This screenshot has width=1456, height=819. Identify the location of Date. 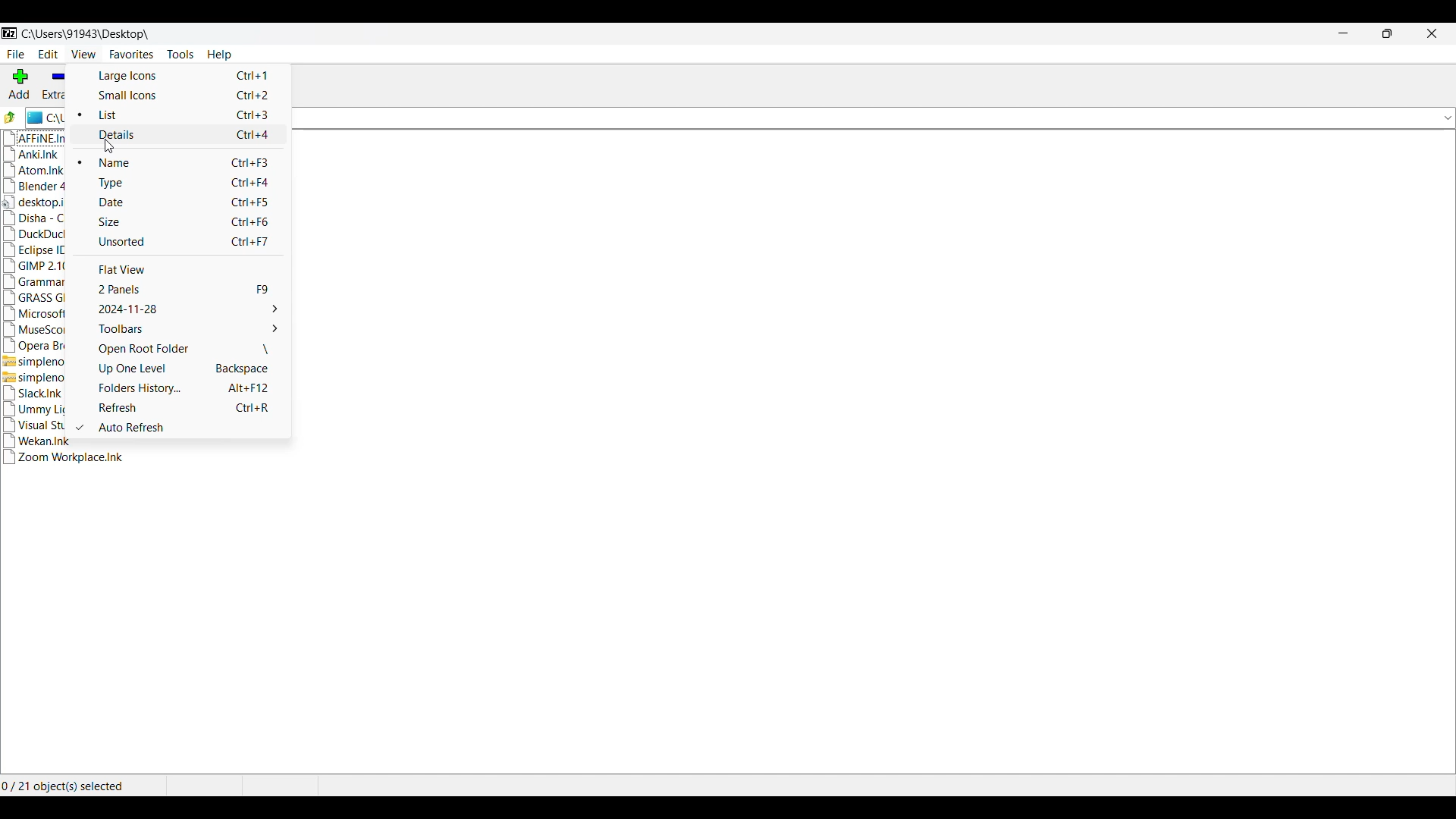
(189, 202).